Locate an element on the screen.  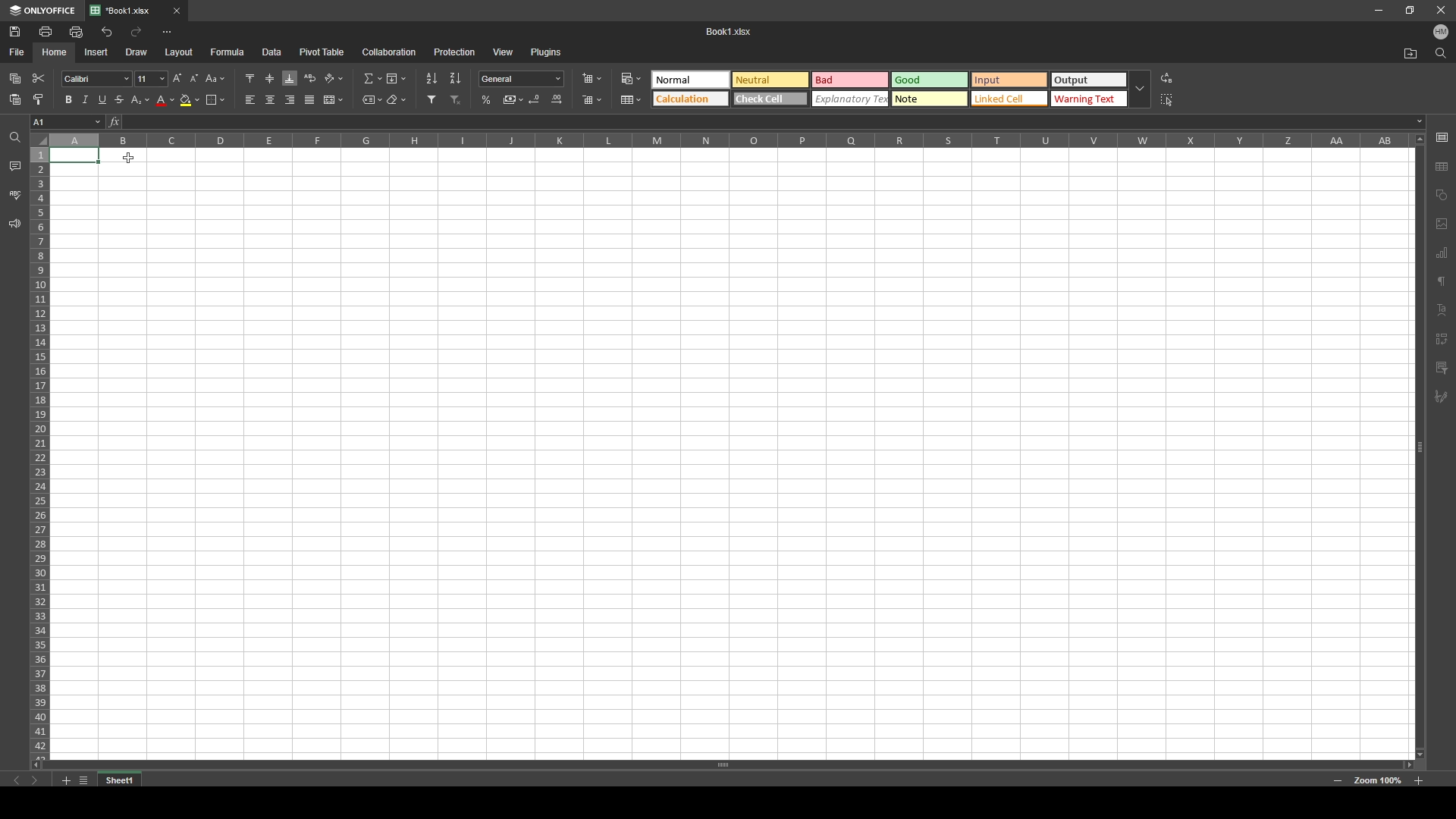
number format is located at coordinates (521, 79).